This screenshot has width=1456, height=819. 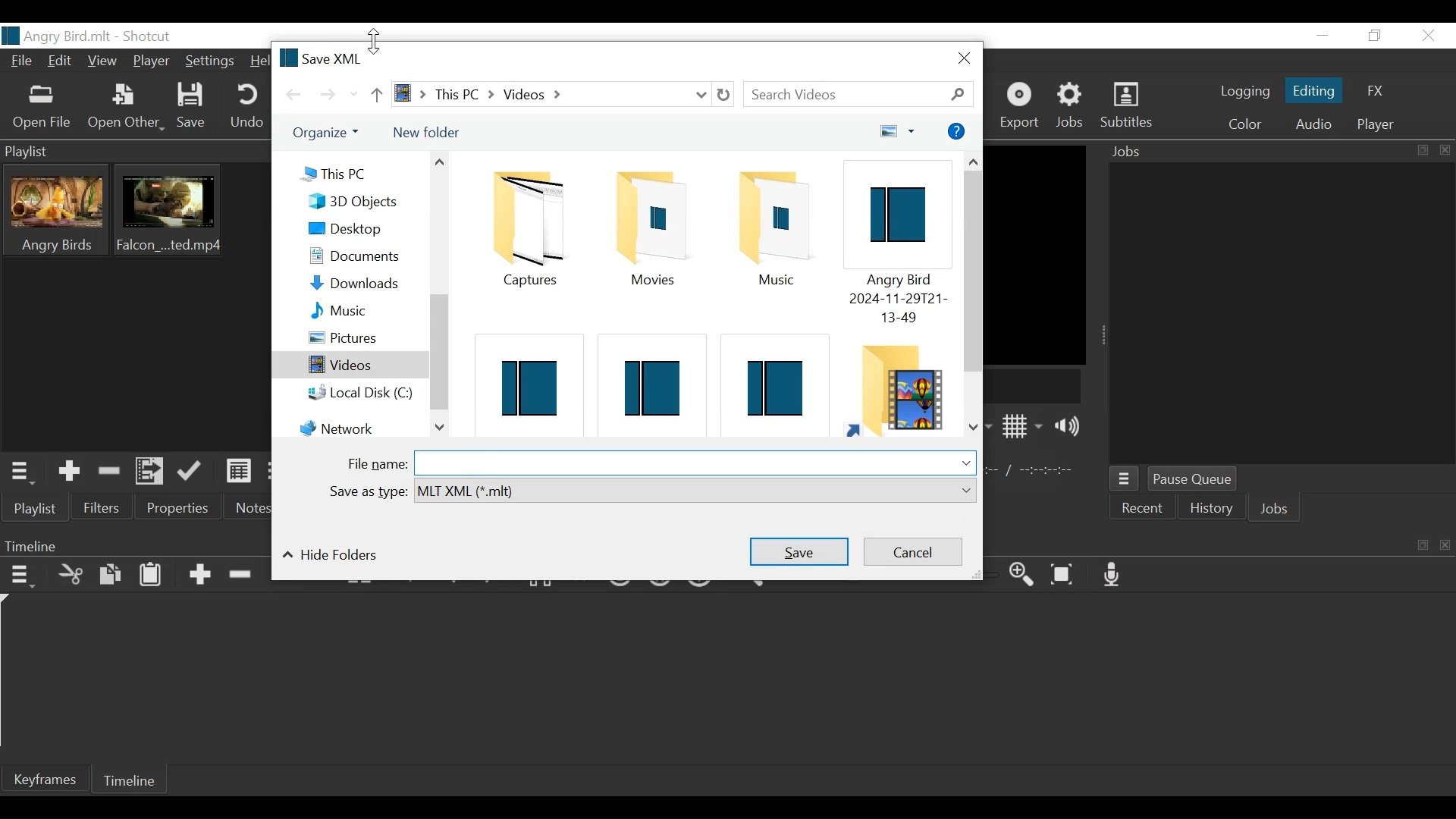 What do you see at coordinates (295, 94) in the screenshot?
I see `Go back` at bounding box center [295, 94].